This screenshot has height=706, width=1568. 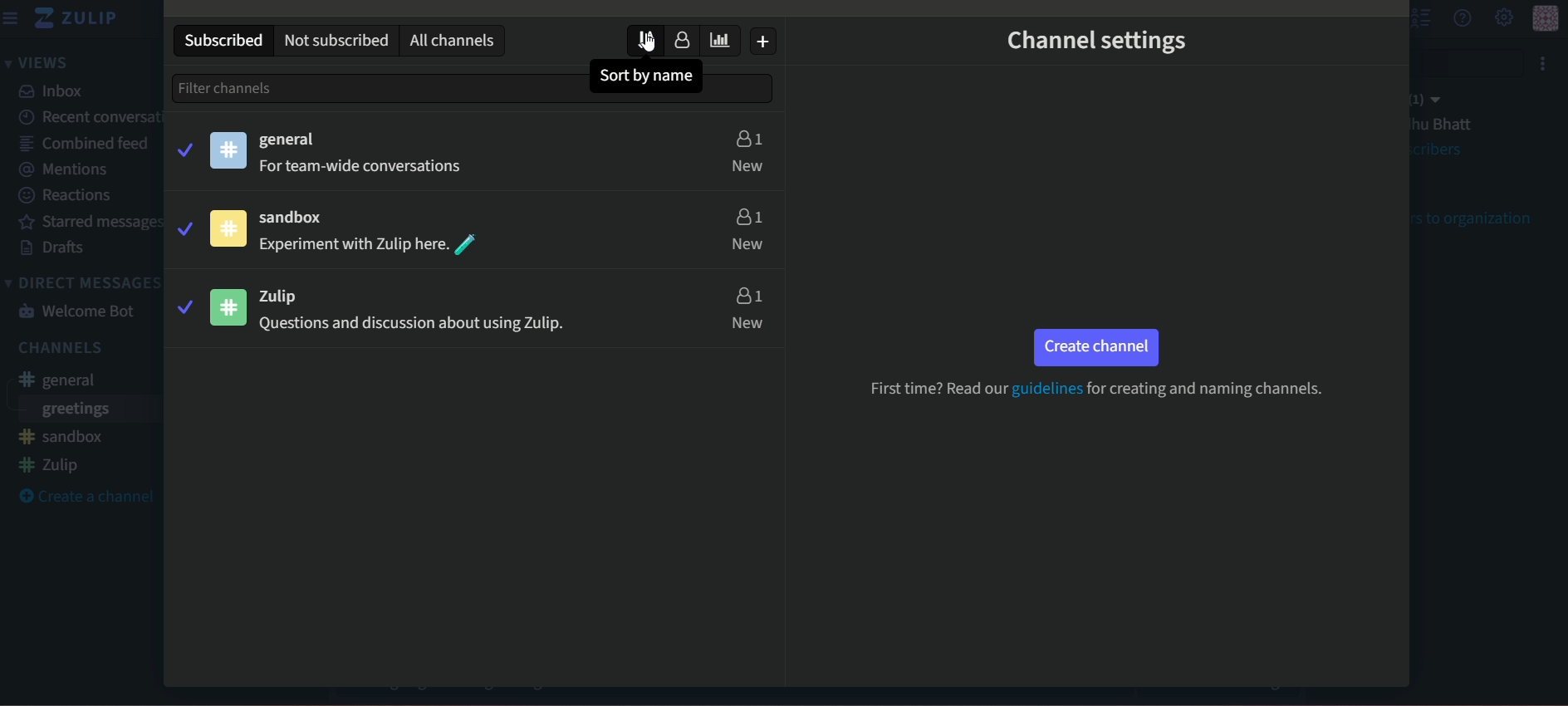 What do you see at coordinates (225, 41) in the screenshot?
I see `subscribed` at bounding box center [225, 41].